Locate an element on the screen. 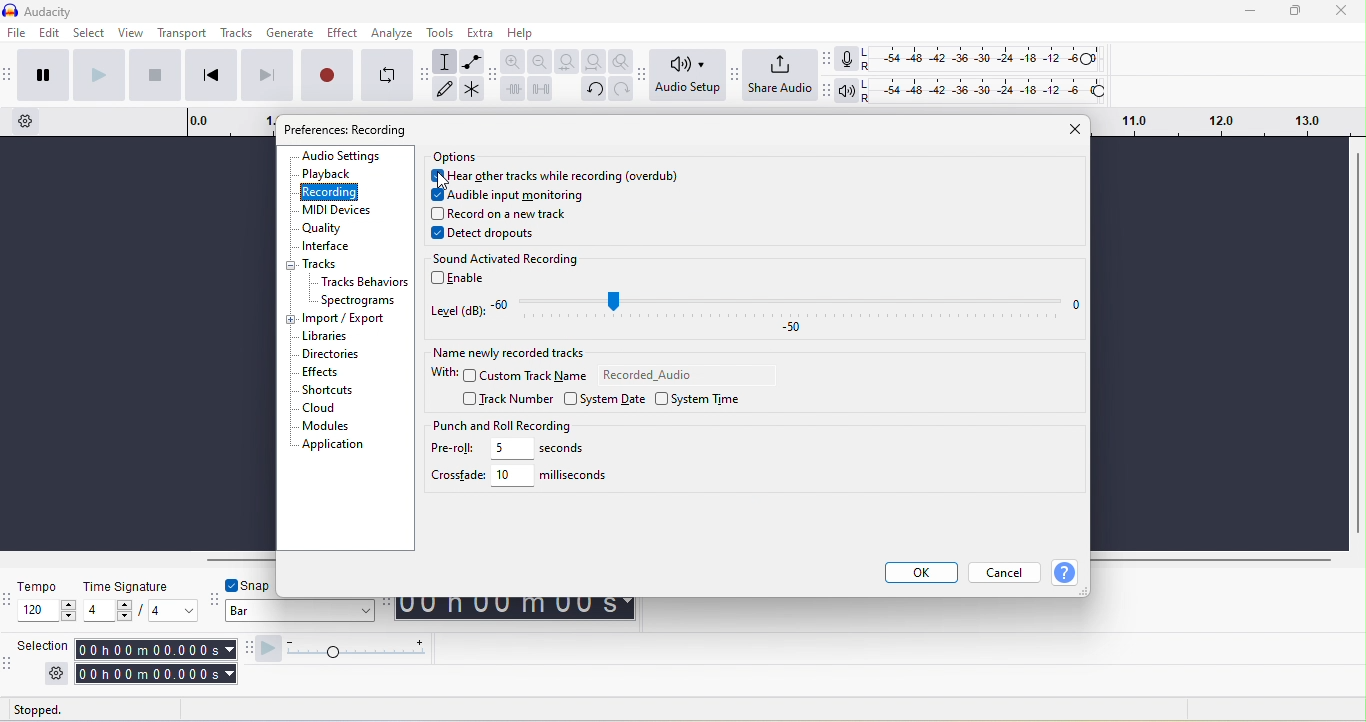 The image size is (1366, 722). skip to end is located at coordinates (267, 75).